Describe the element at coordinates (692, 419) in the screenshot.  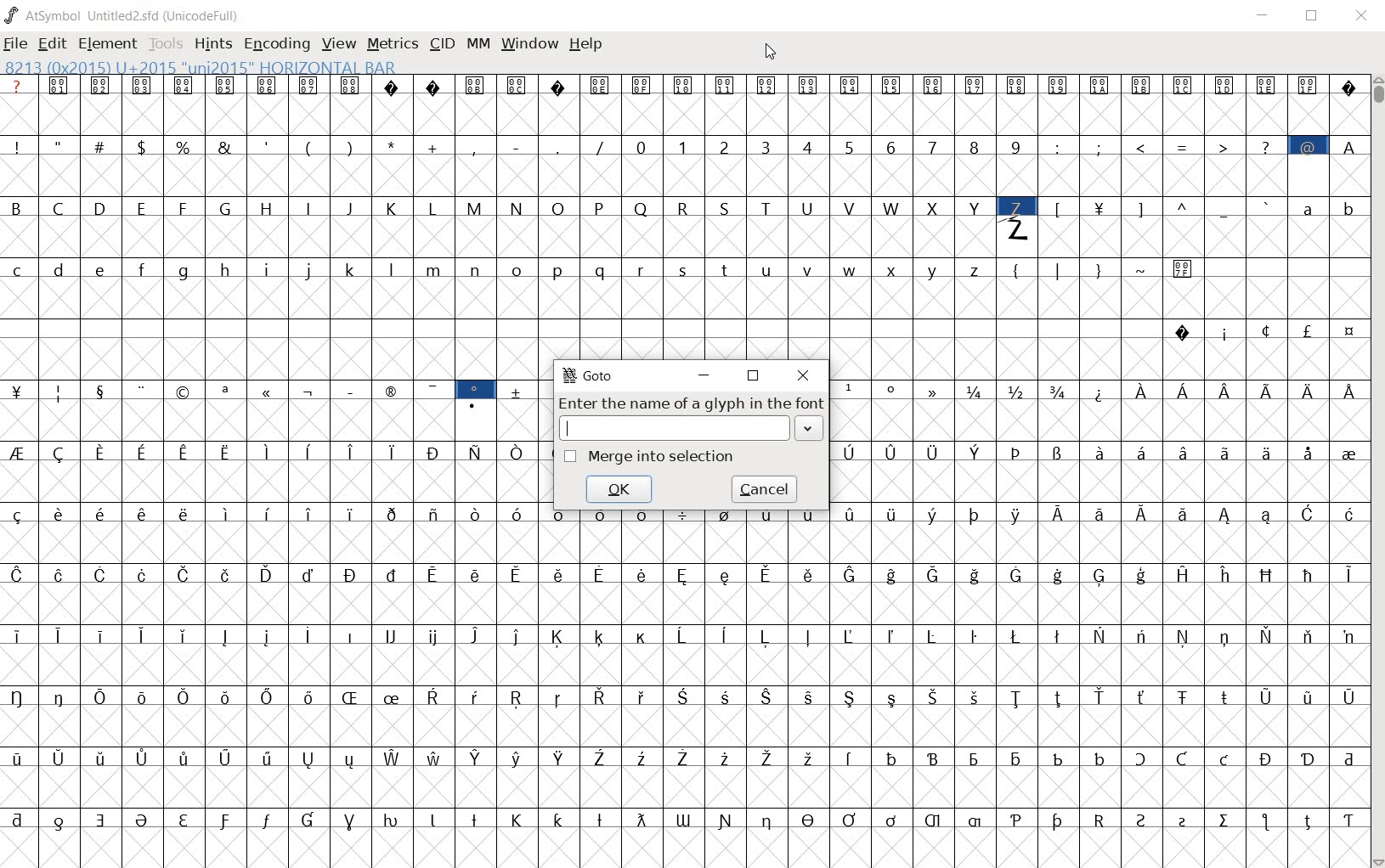
I see `ENTER THE NAME OF A GLYPH IN THE FONT` at that location.